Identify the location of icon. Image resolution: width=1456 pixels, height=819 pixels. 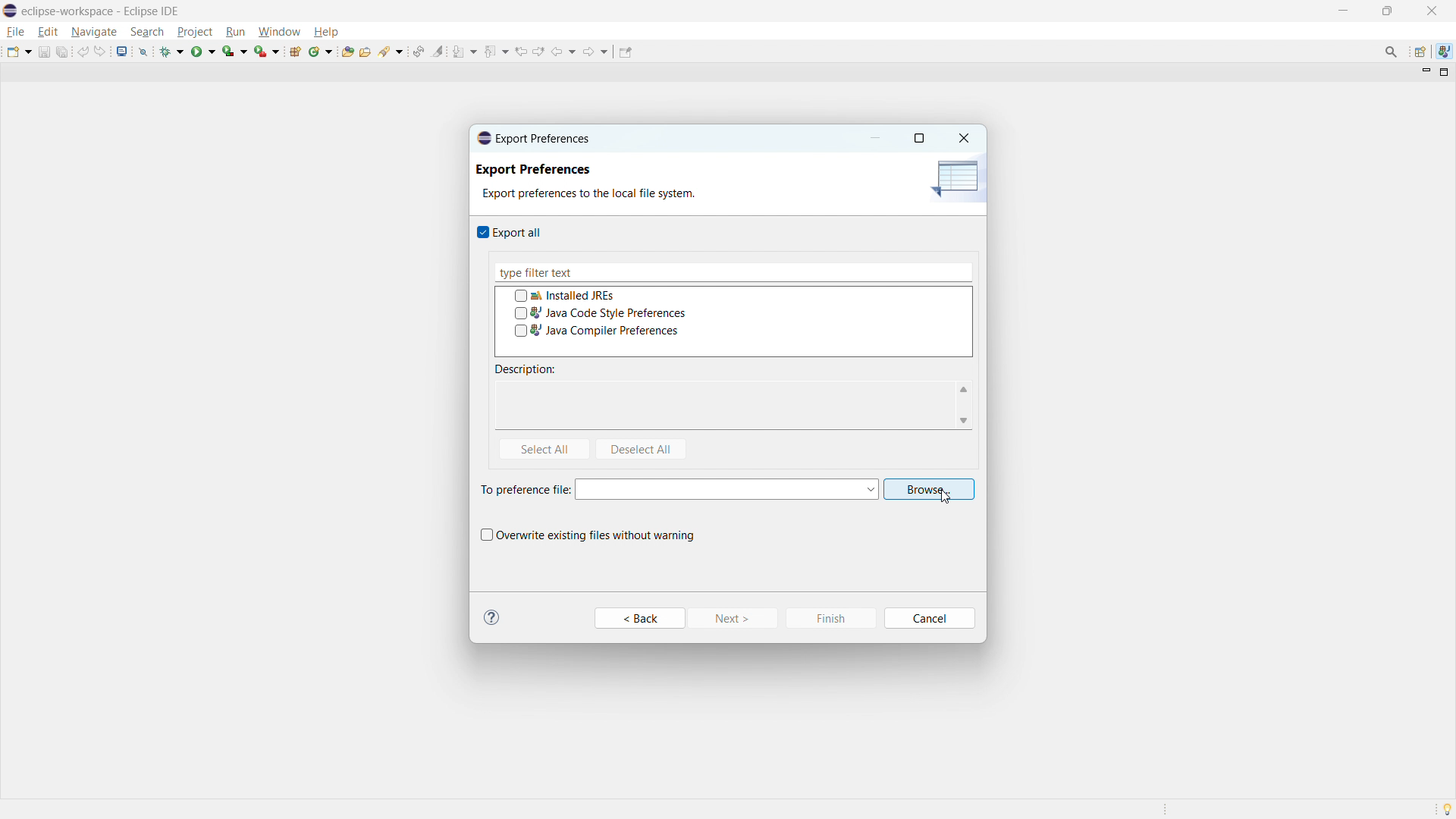
(963, 184).